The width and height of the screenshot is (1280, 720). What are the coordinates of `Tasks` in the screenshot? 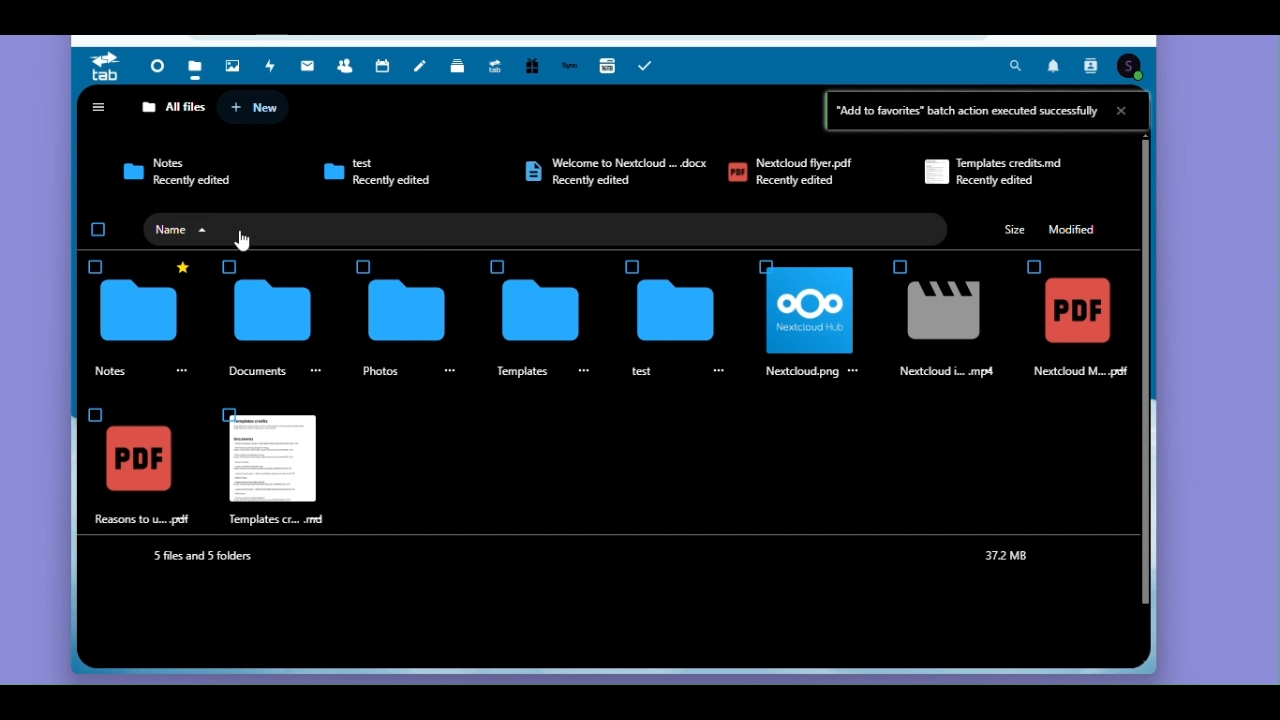 It's located at (650, 65).